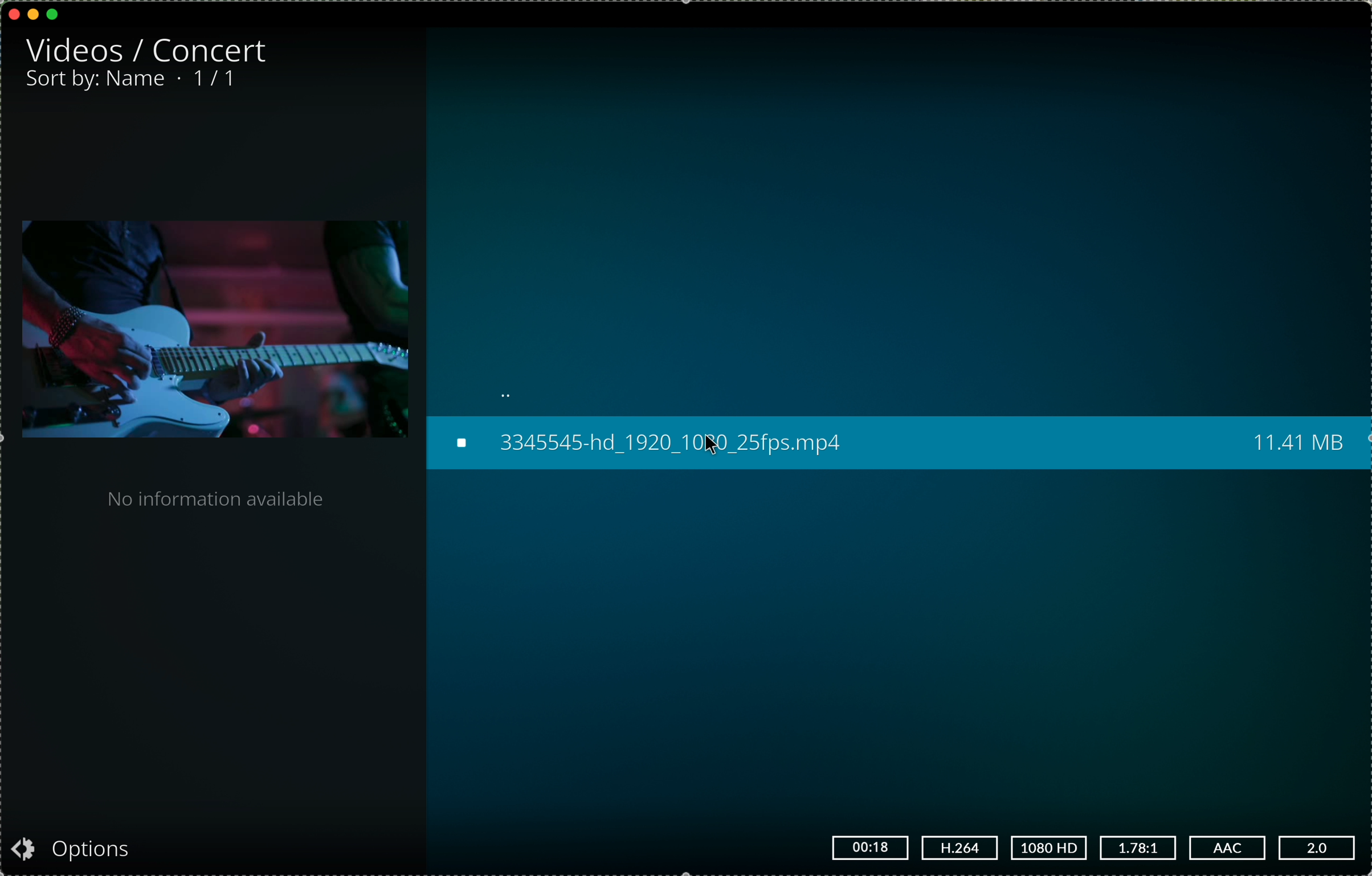  What do you see at coordinates (899, 444) in the screenshot?
I see `click on the concert recording` at bounding box center [899, 444].